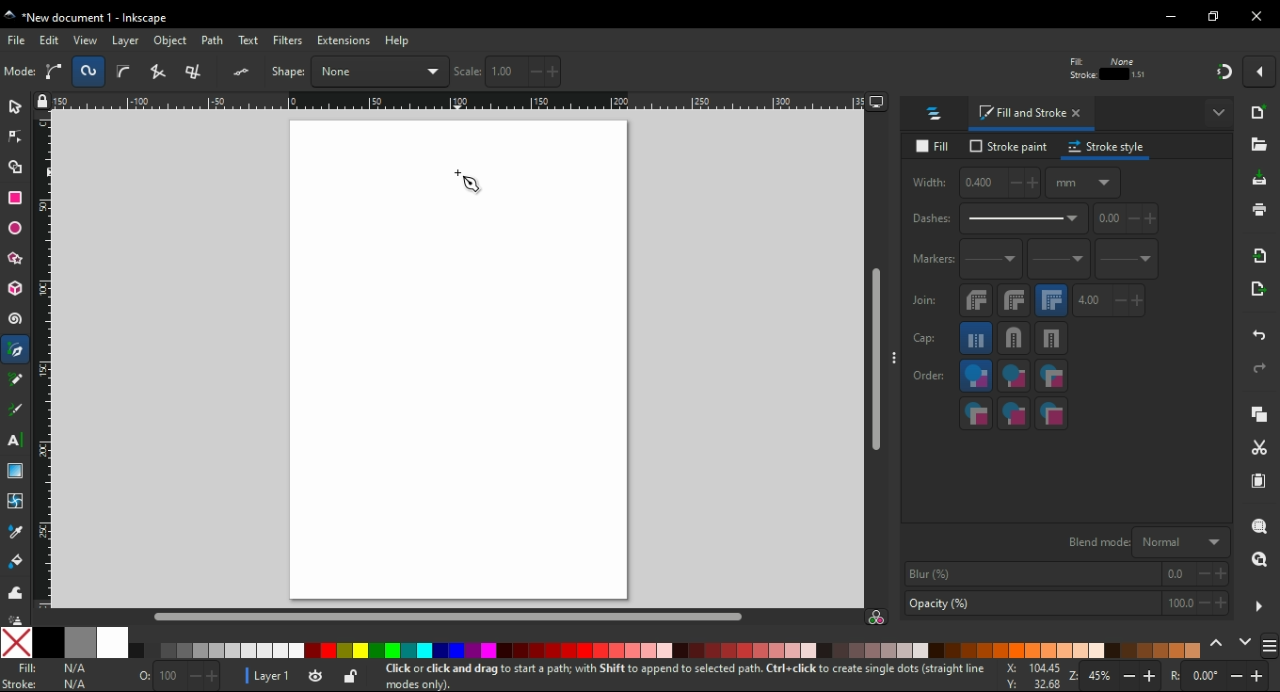 This screenshot has width=1280, height=692. I want to click on bevel, so click(977, 301).